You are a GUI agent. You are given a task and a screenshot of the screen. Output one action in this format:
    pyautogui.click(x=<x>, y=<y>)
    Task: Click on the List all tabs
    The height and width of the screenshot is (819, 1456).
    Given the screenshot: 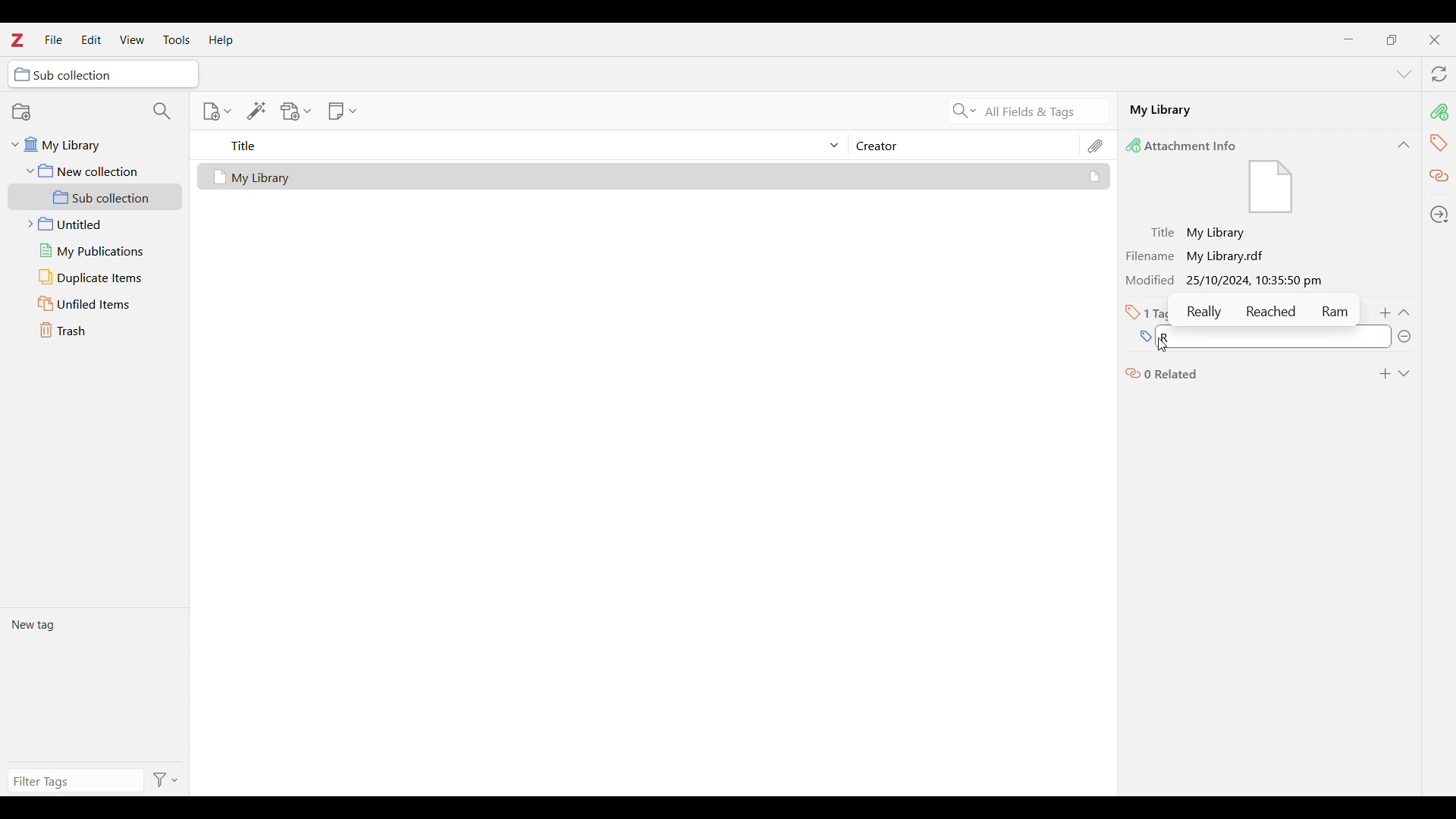 What is the action you would take?
    pyautogui.click(x=1404, y=75)
    